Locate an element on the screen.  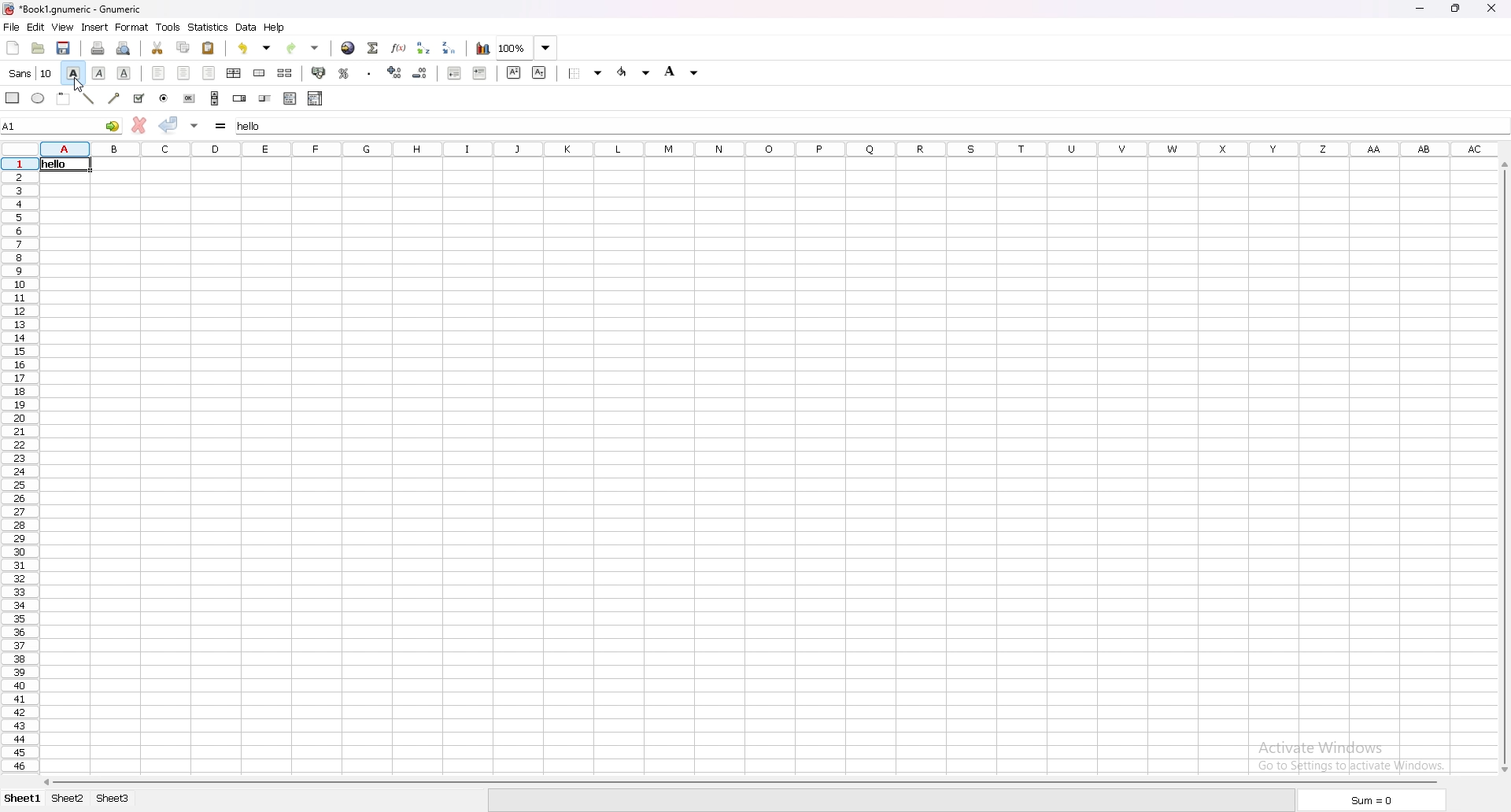
hello is located at coordinates (263, 127).